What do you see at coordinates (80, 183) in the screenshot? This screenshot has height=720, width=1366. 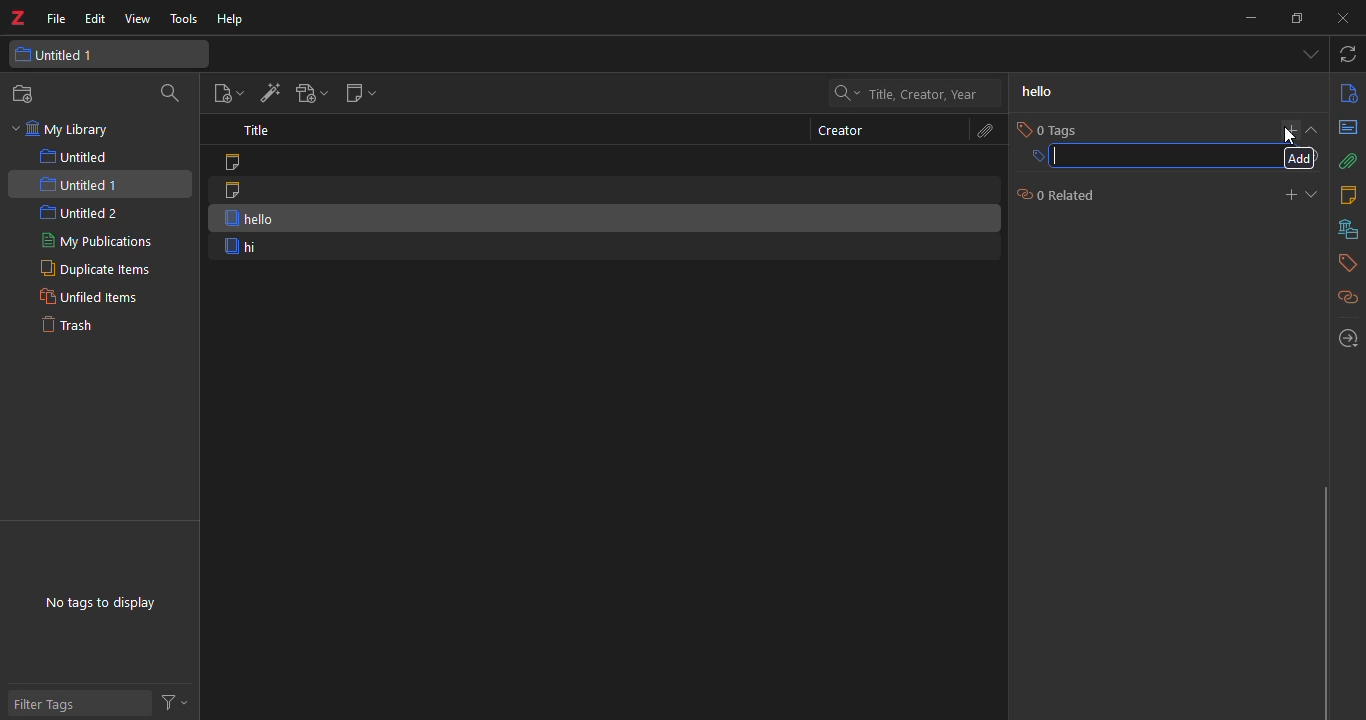 I see `untitled 1` at bounding box center [80, 183].